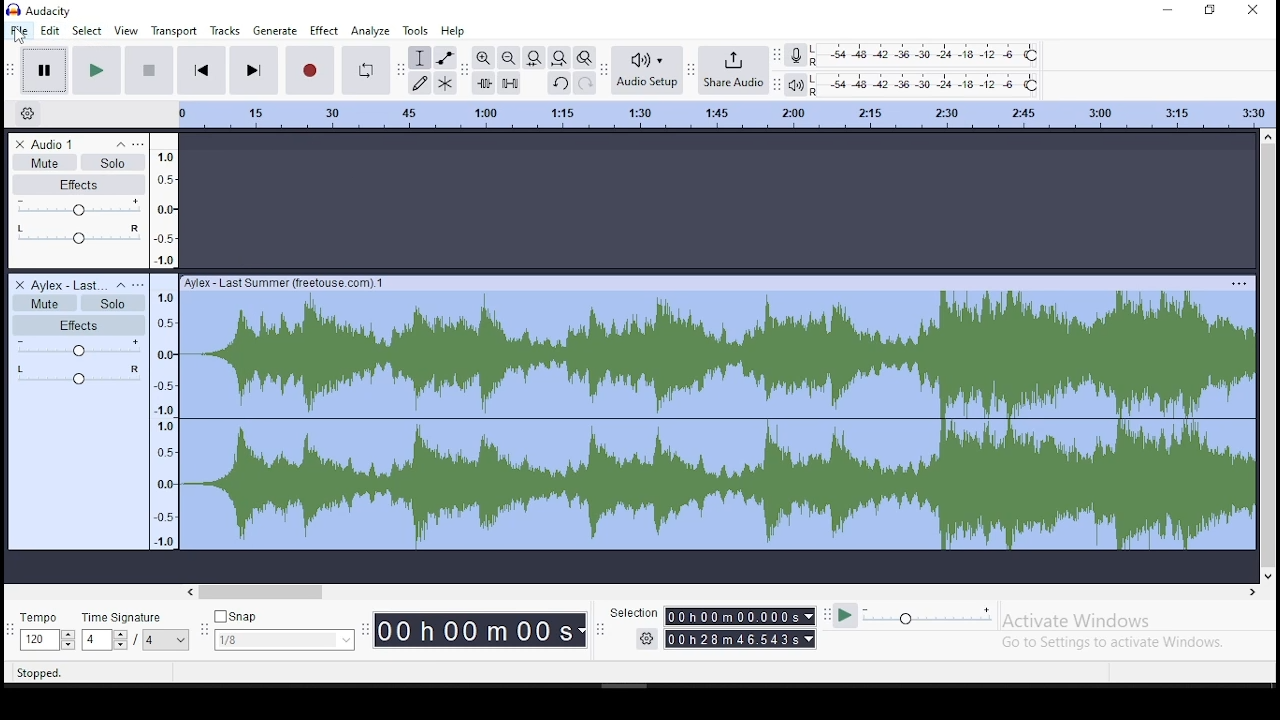  What do you see at coordinates (796, 55) in the screenshot?
I see `record meter` at bounding box center [796, 55].